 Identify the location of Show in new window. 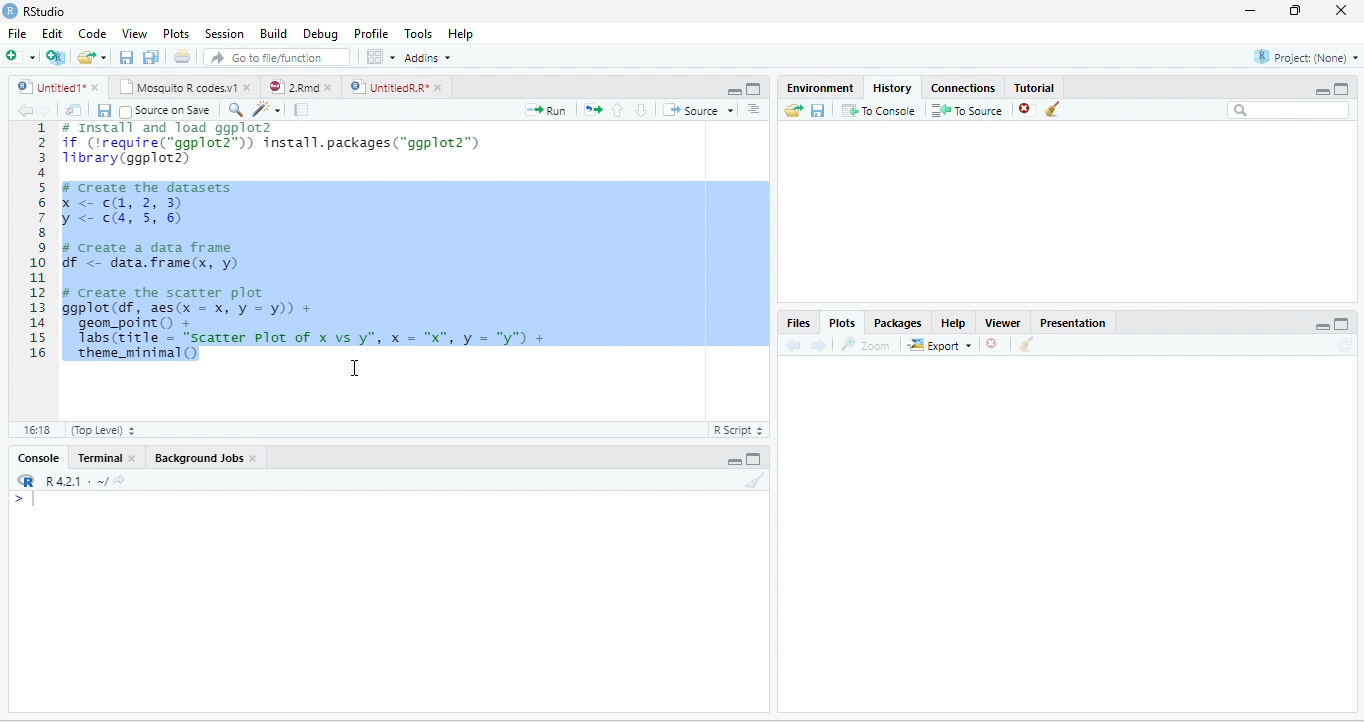
(75, 111).